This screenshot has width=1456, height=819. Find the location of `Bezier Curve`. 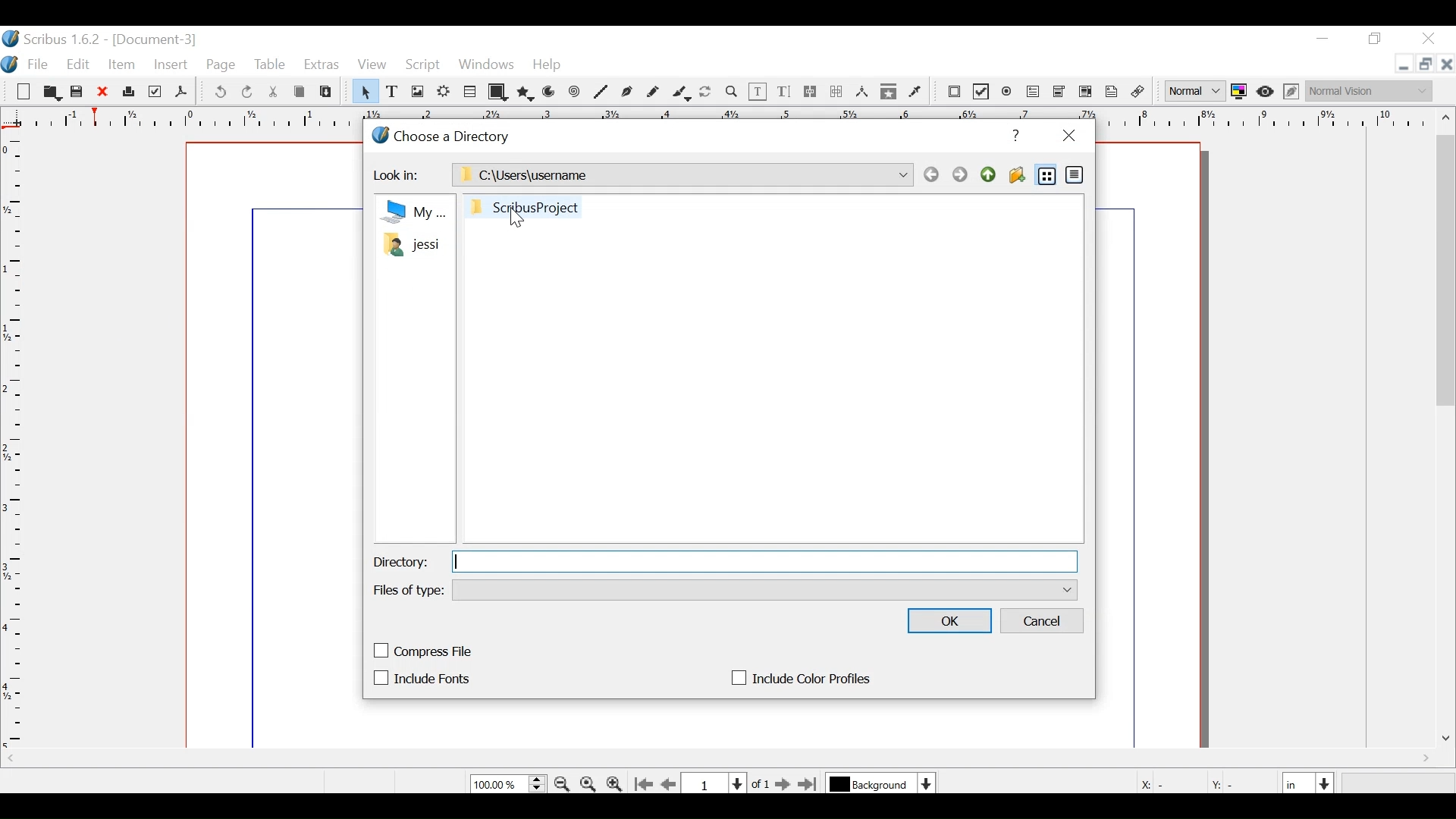

Bezier Curve is located at coordinates (627, 93).